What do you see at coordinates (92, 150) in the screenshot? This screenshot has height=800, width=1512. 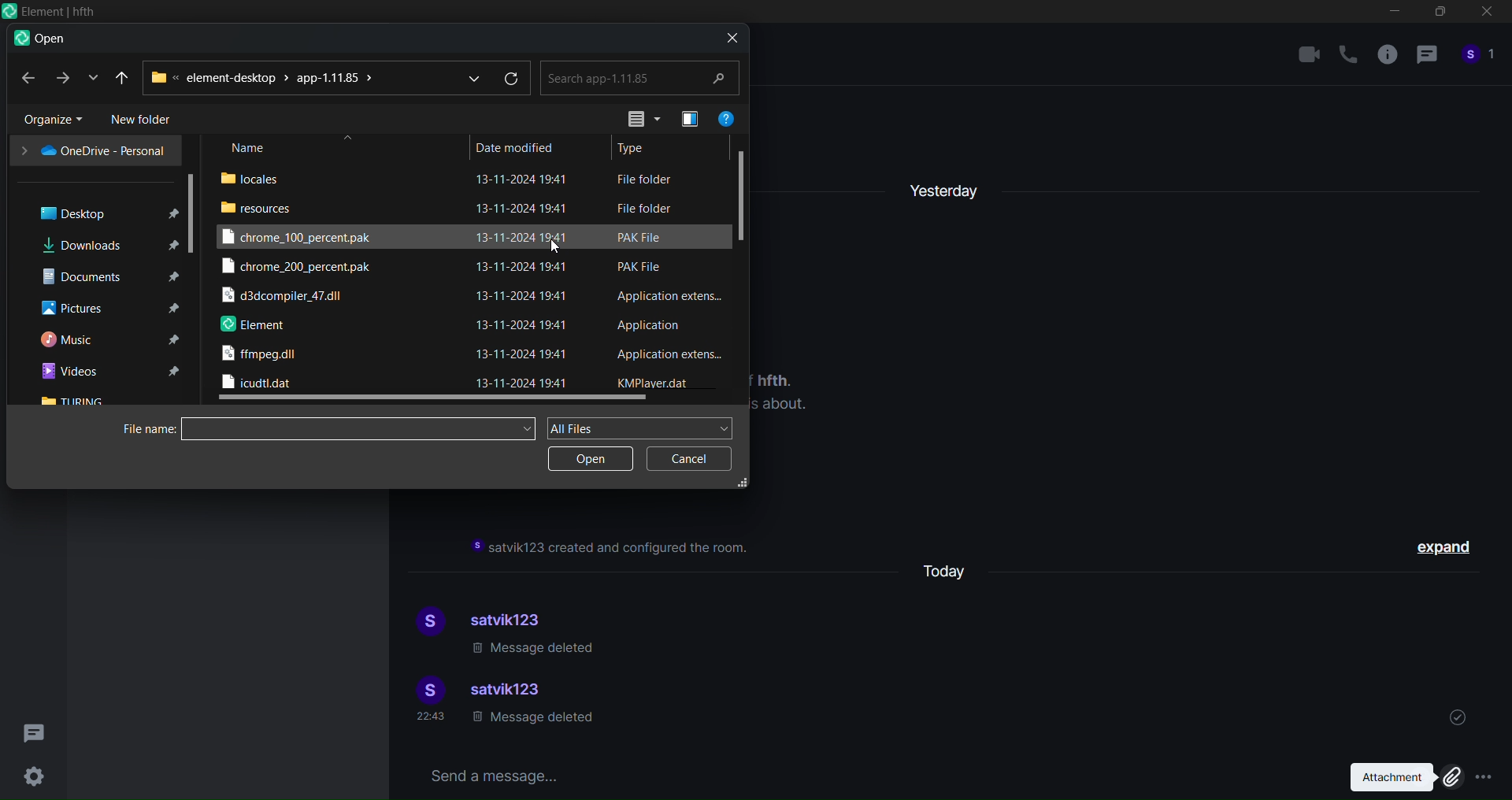 I see `one drive` at bounding box center [92, 150].